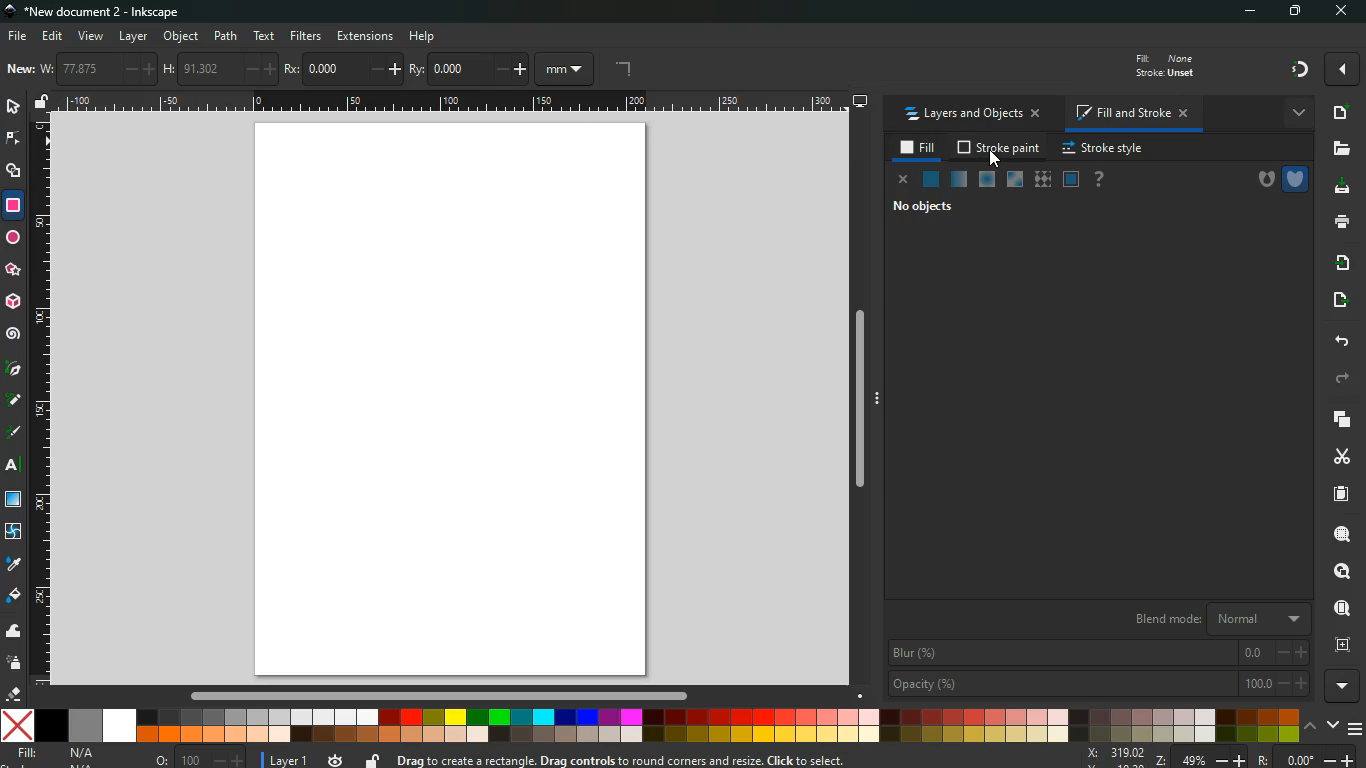 This screenshot has height=768, width=1366. What do you see at coordinates (20, 70) in the screenshot?
I see `new` at bounding box center [20, 70].